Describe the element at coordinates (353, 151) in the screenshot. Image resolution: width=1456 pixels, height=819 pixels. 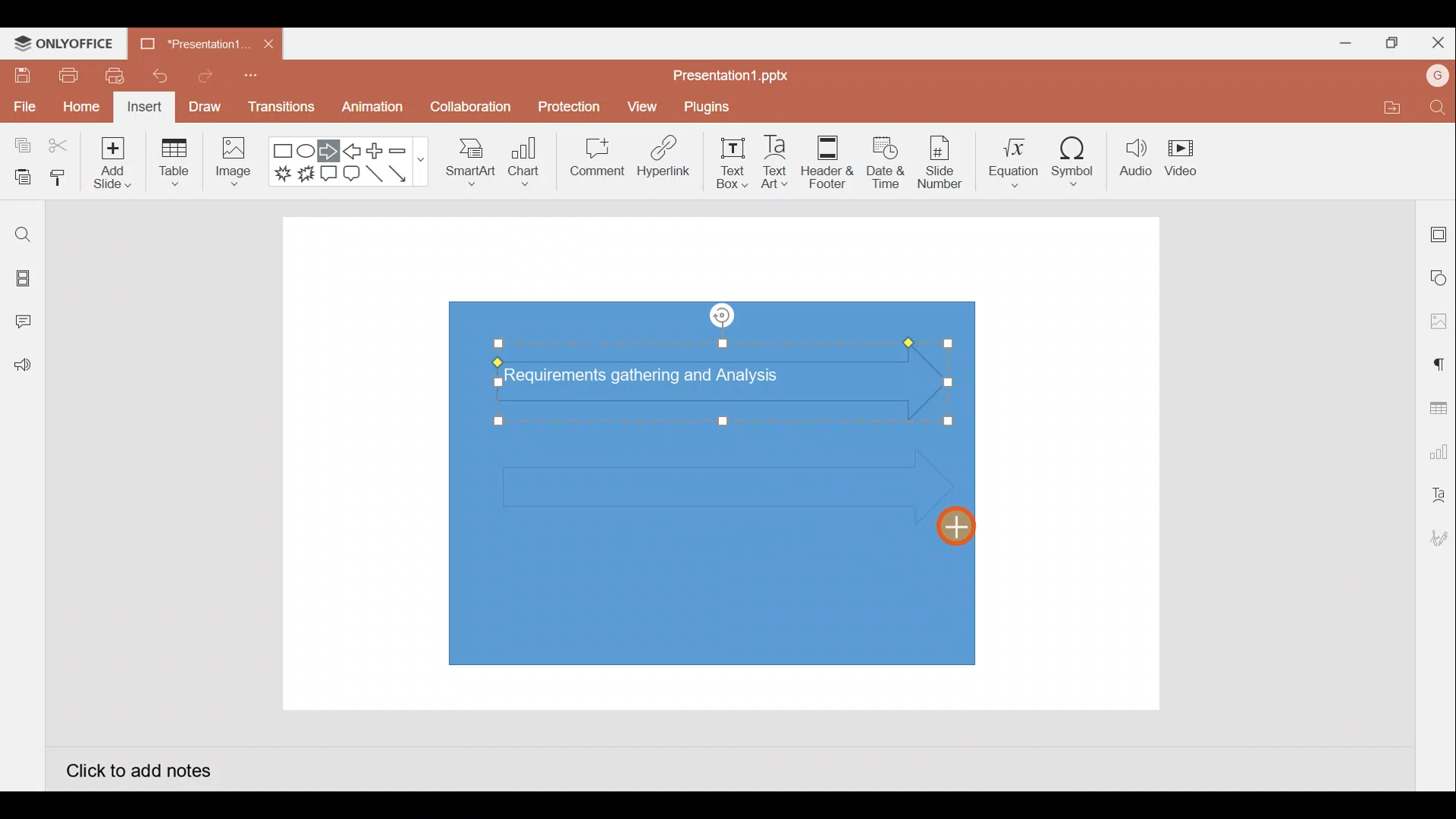
I see `Left arrow` at that location.